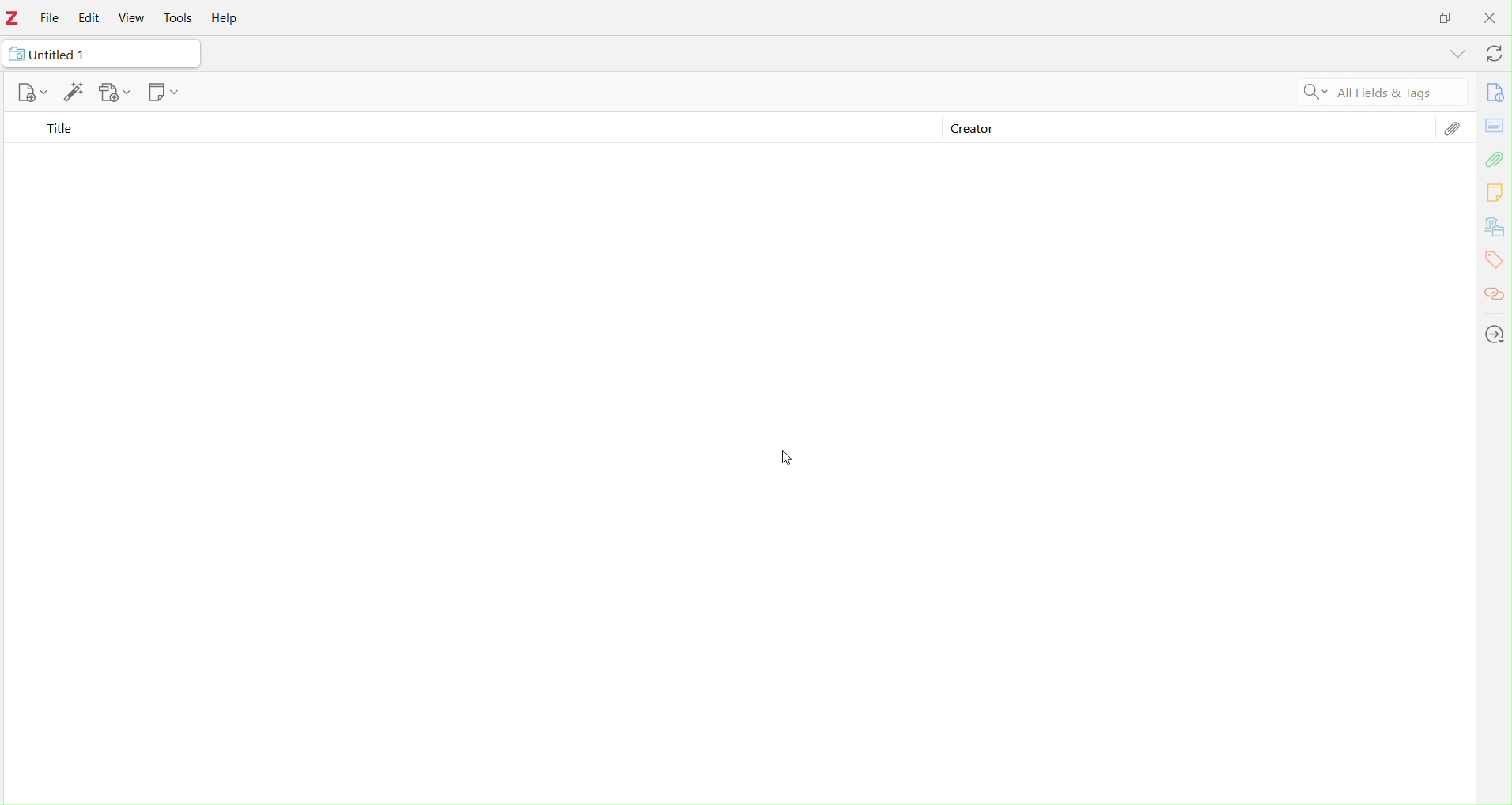  Describe the element at coordinates (48, 19) in the screenshot. I see `File` at that location.